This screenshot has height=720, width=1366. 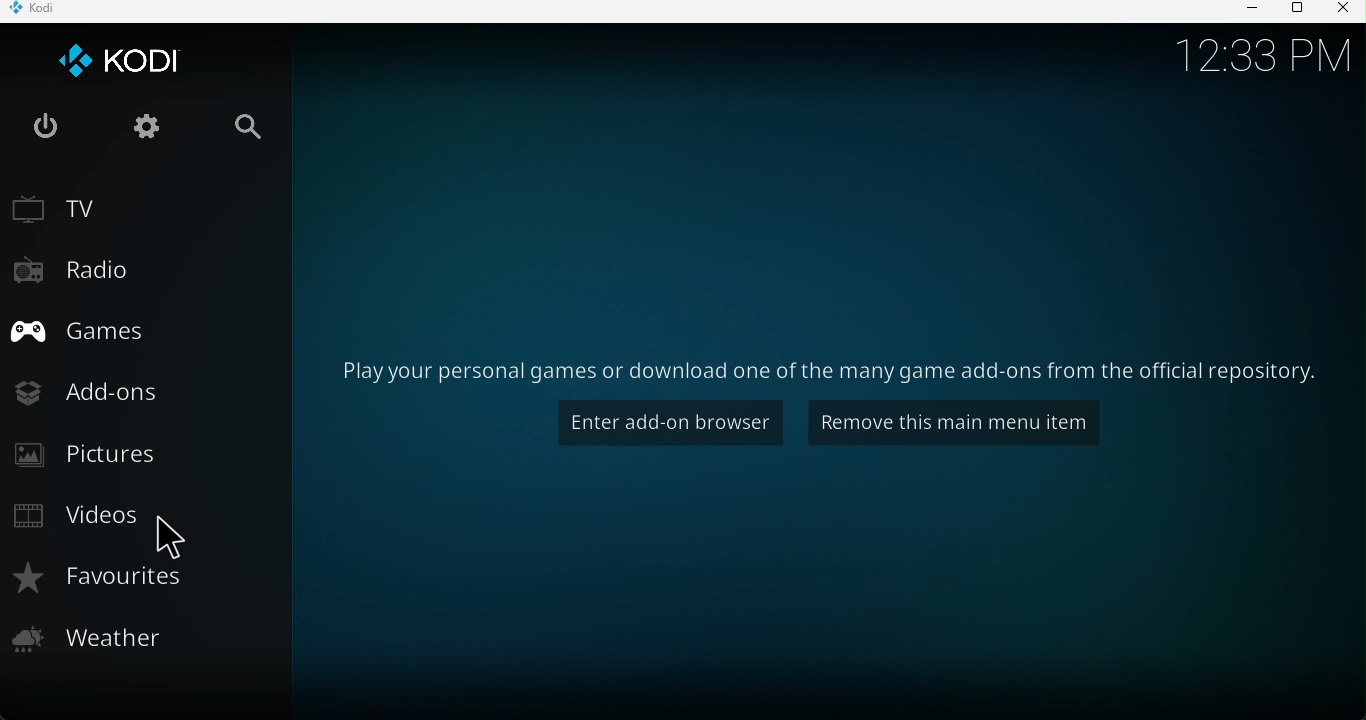 I want to click on Search, so click(x=252, y=124).